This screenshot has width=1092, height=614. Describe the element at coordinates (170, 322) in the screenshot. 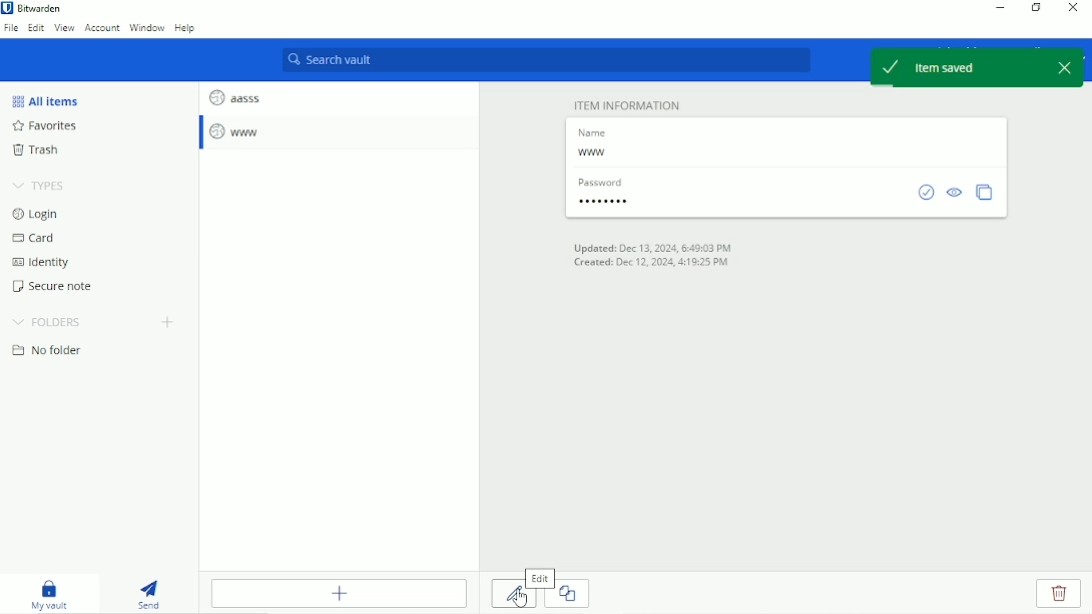

I see `Create folder` at that location.